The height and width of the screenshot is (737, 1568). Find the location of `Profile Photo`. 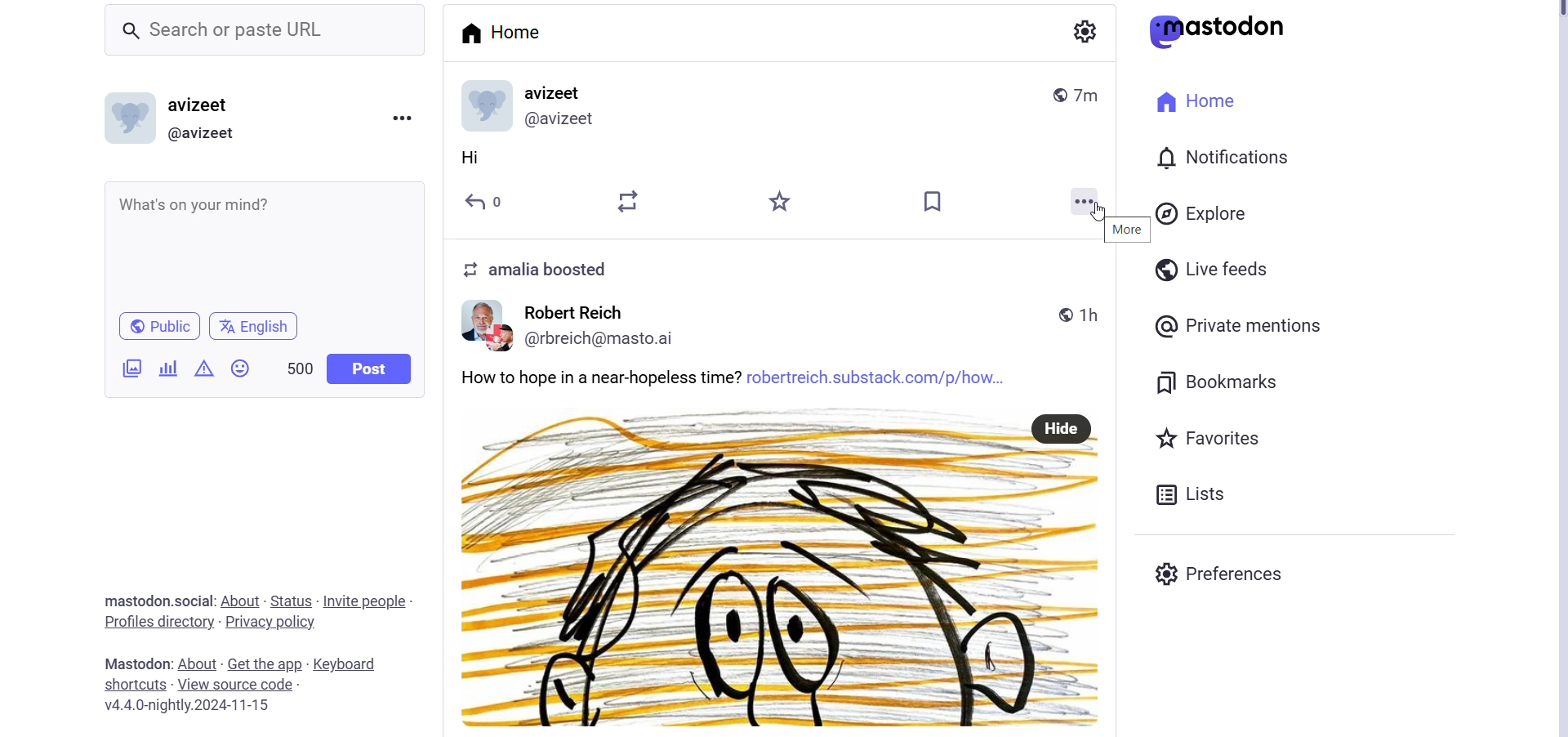

Profile Photo is located at coordinates (131, 115).